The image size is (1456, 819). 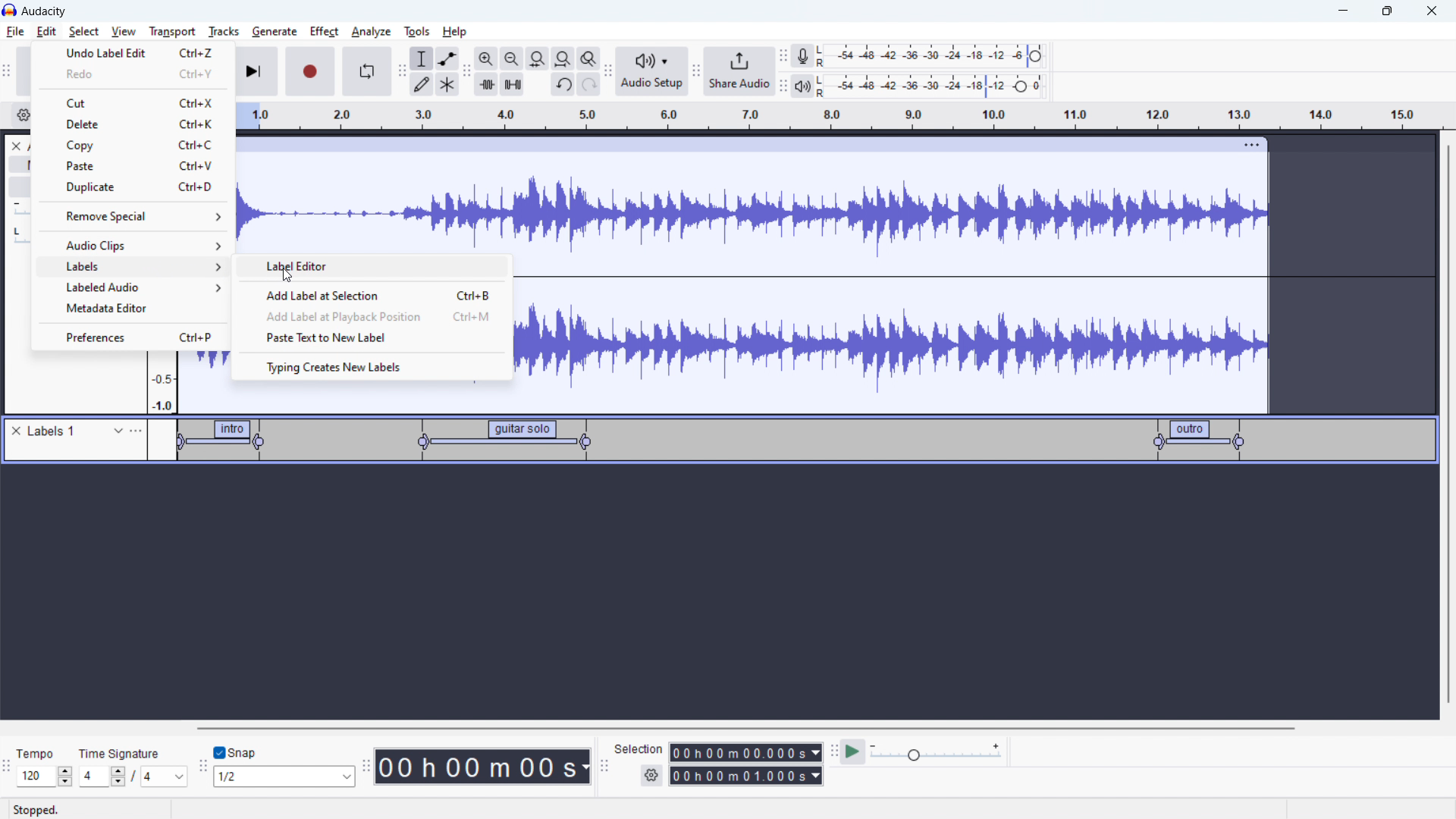 I want to click on Cut Ctri+X, so click(x=136, y=100).